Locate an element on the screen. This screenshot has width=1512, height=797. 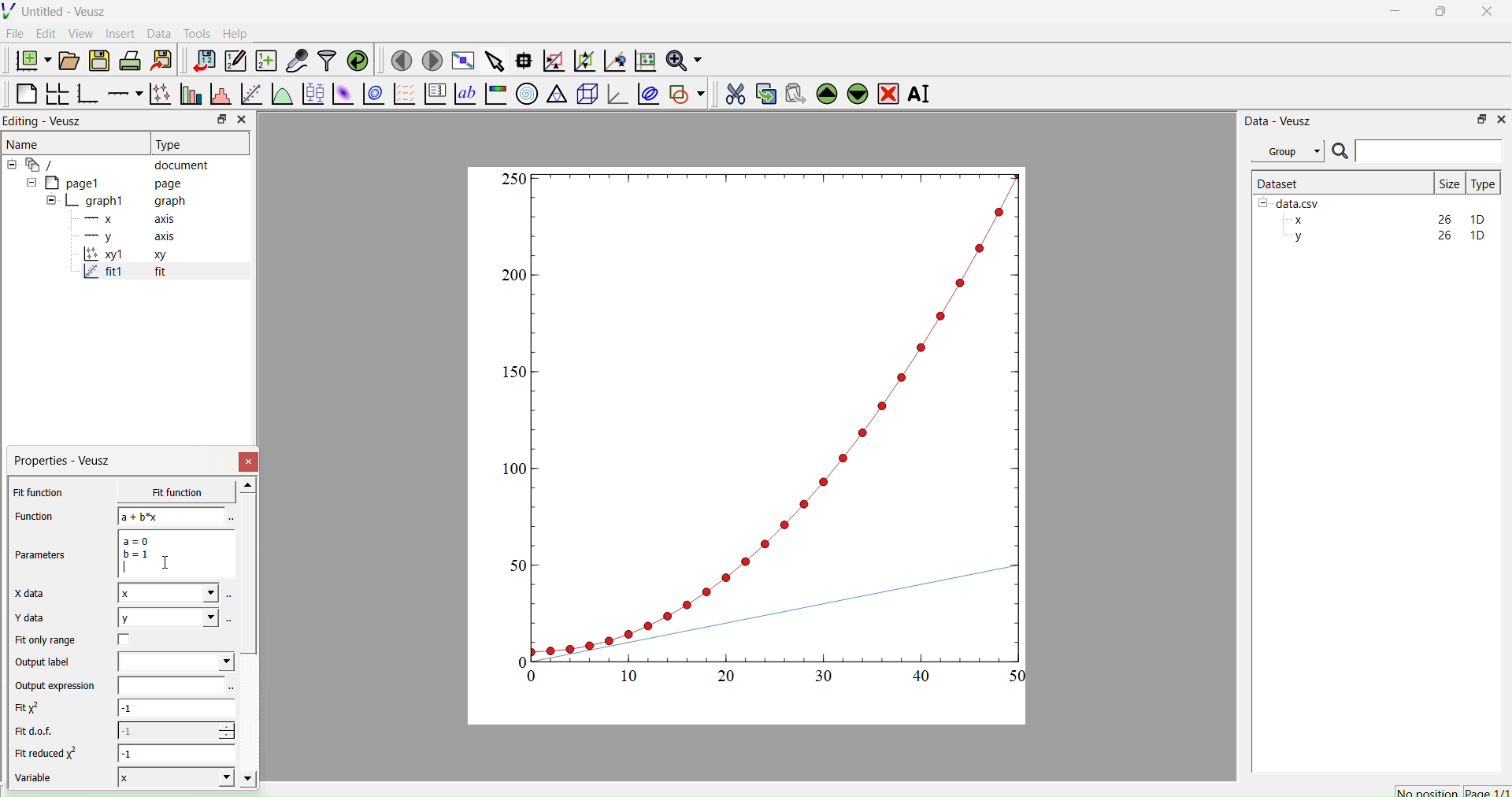
Output label is located at coordinates (46, 662).